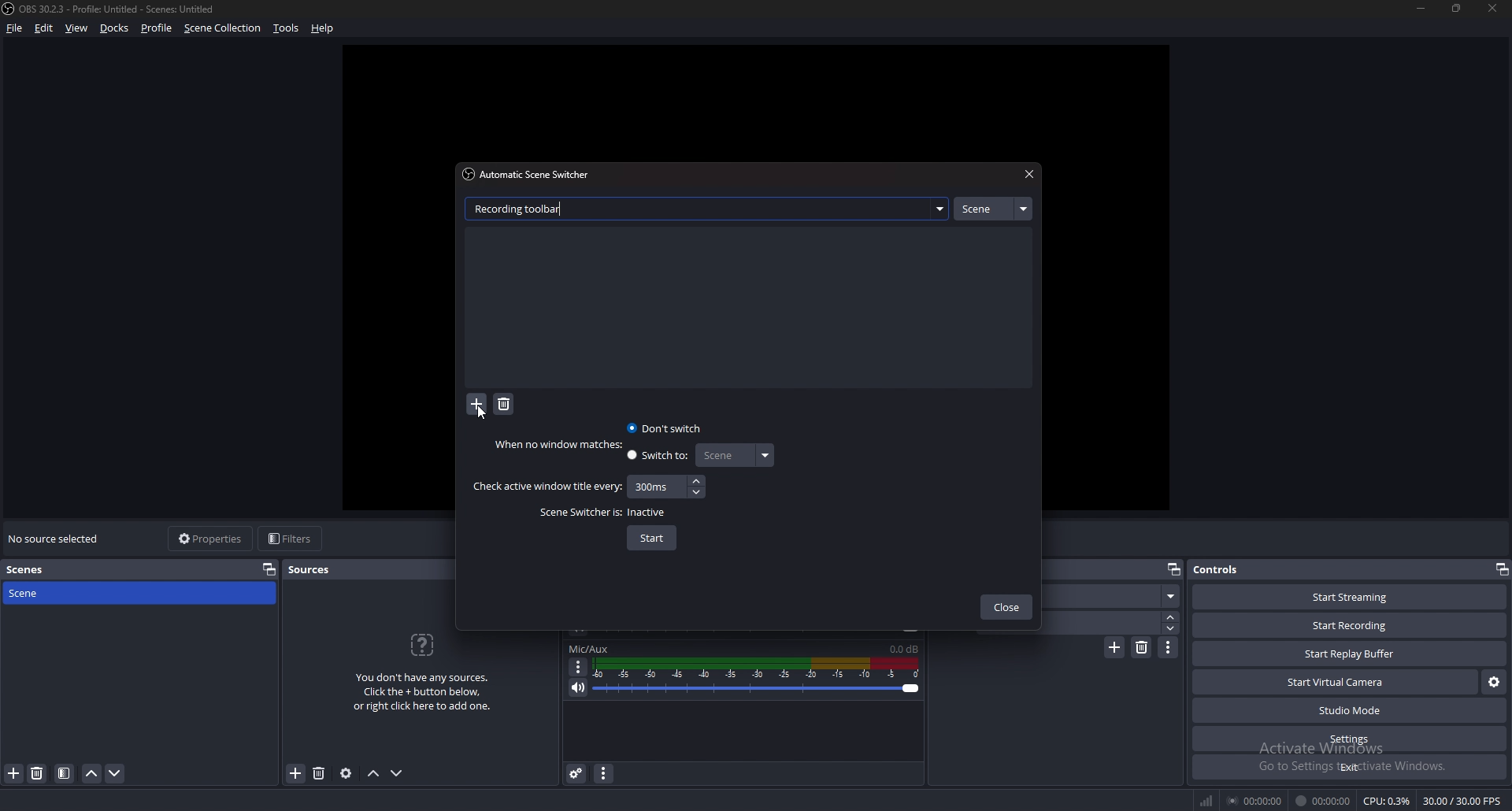 The width and height of the screenshot is (1512, 811). I want to click on add transition, so click(1114, 647).